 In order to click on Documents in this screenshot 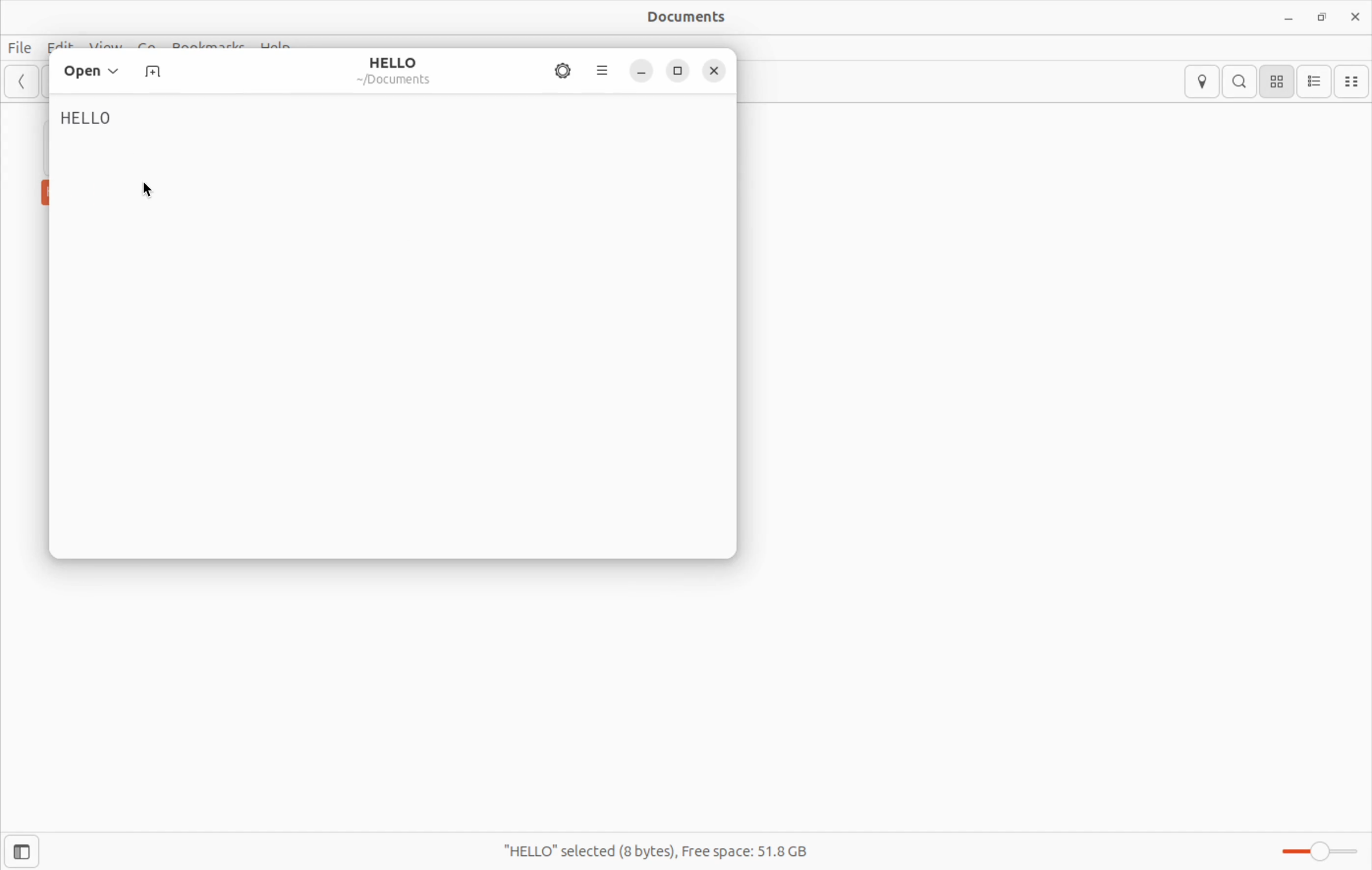, I will do `click(385, 85)`.